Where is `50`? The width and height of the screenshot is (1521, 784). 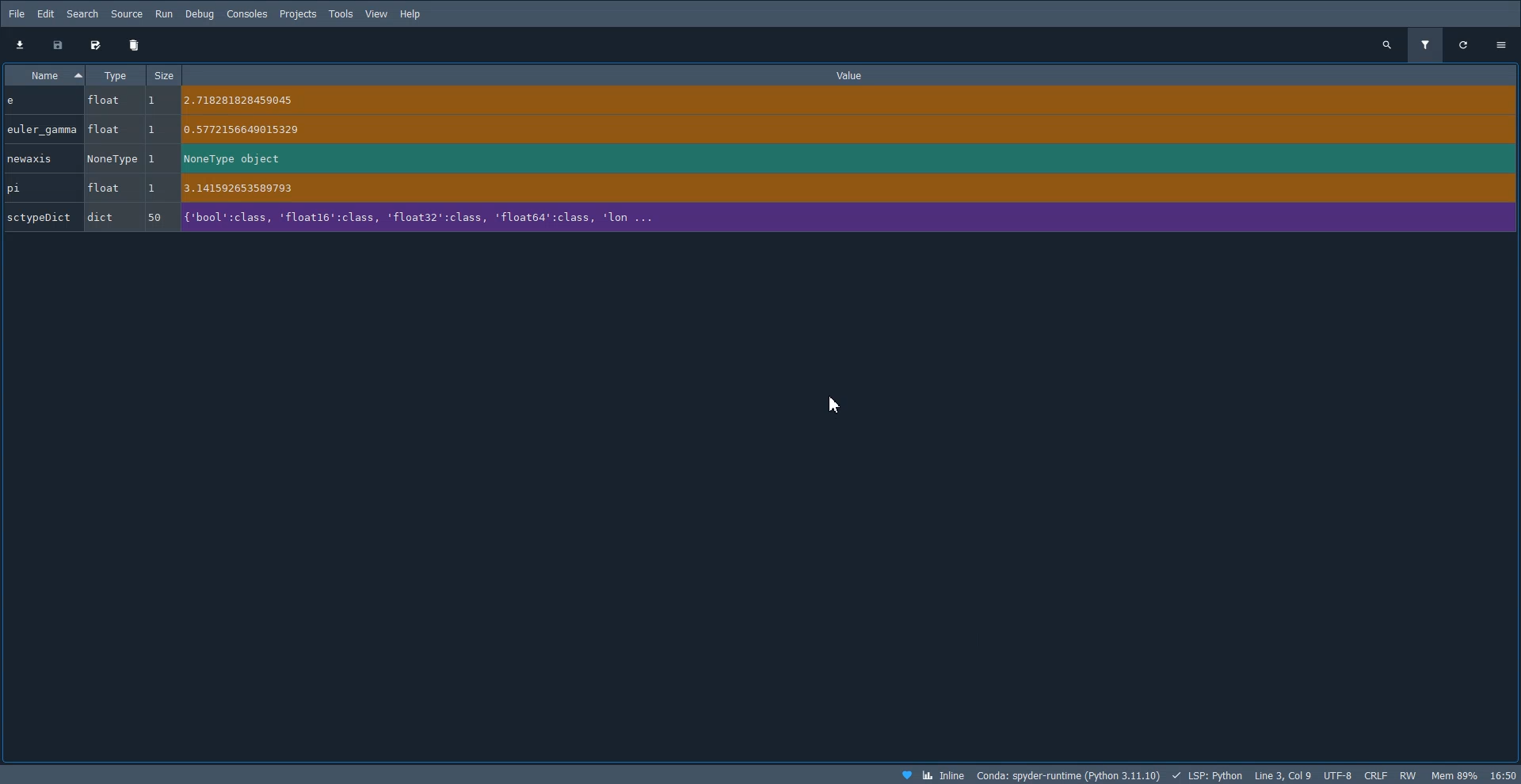 50 is located at coordinates (153, 217).